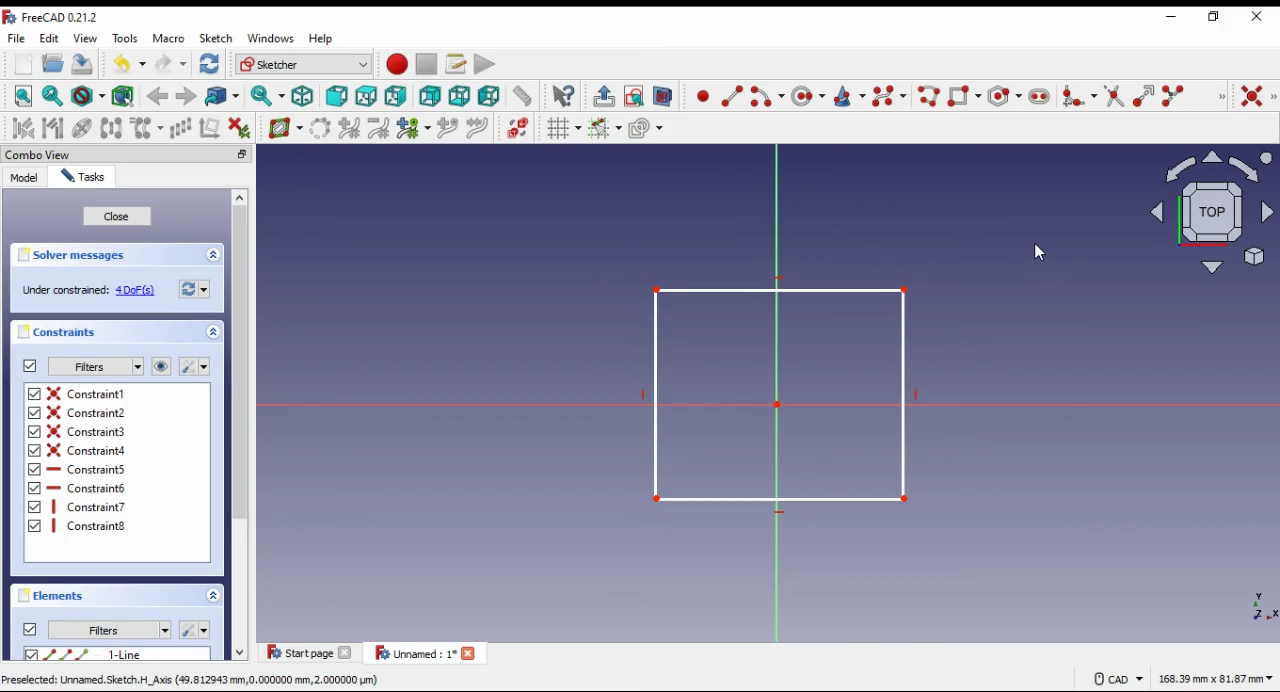 This screenshot has height=692, width=1280. Describe the element at coordinates (54, 596) in the screenshot. I see `elements` at that location.